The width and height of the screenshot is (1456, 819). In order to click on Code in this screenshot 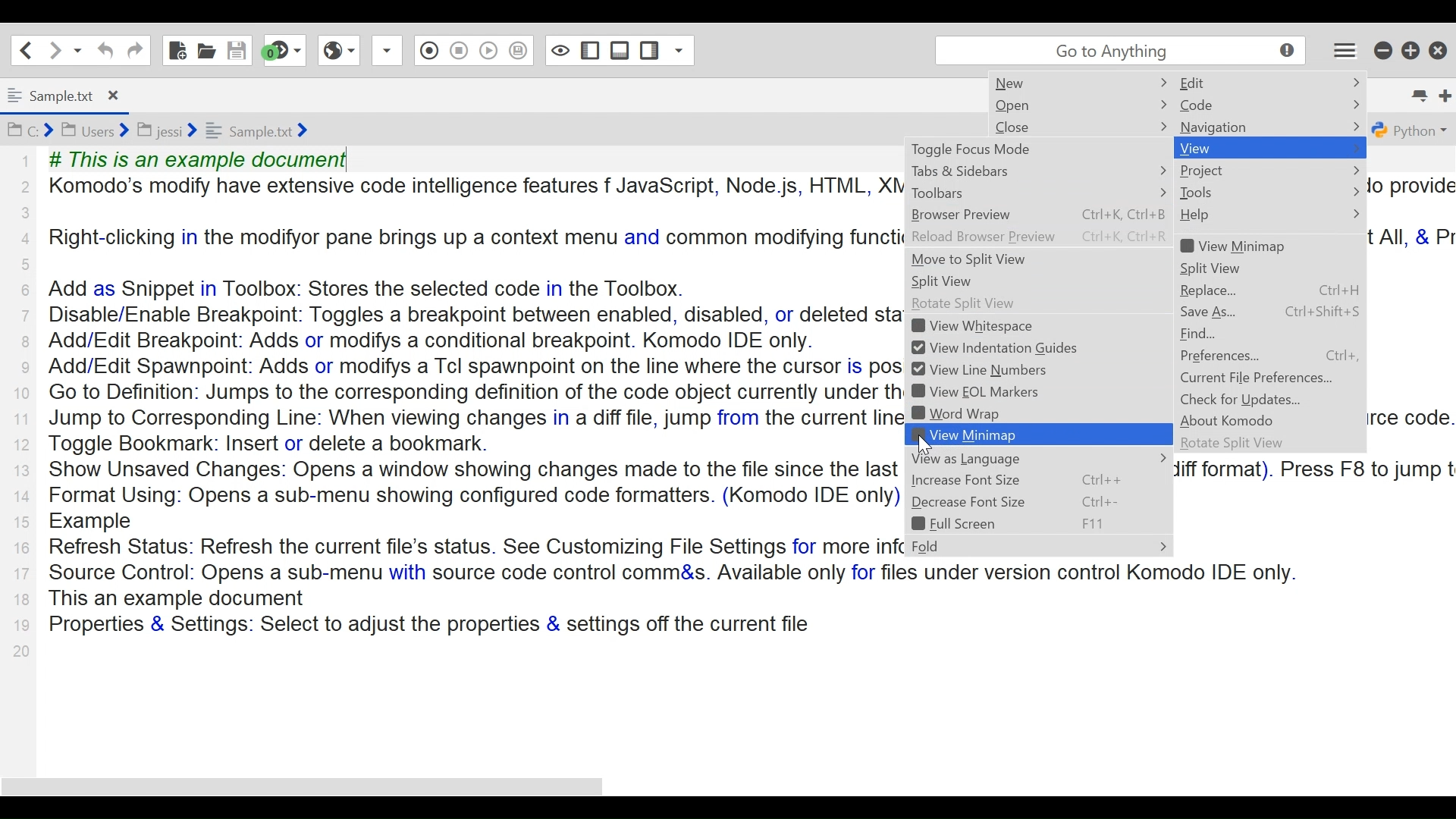, I will do `click(1226, 105)`.